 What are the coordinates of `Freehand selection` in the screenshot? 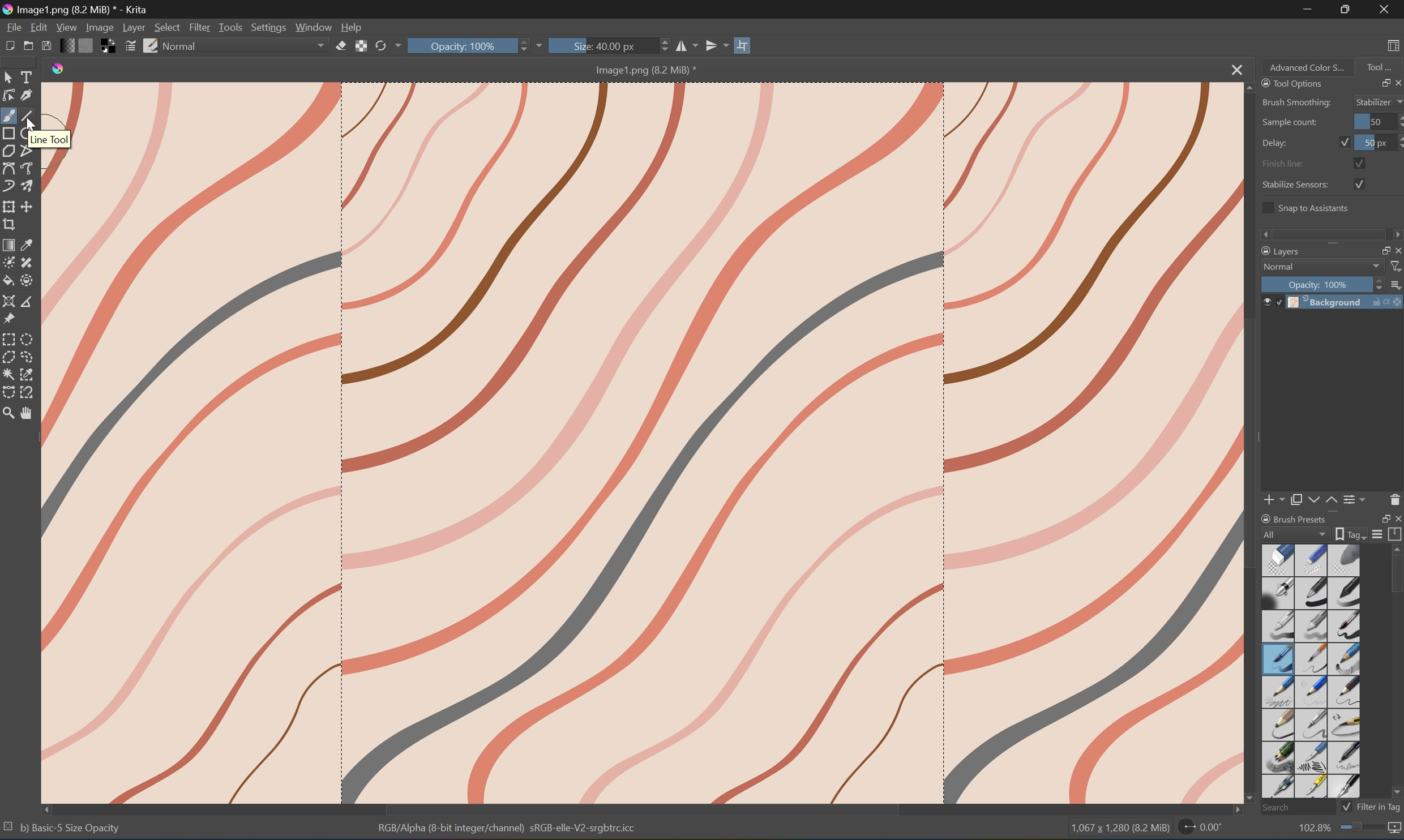 It's located at (29, 357).